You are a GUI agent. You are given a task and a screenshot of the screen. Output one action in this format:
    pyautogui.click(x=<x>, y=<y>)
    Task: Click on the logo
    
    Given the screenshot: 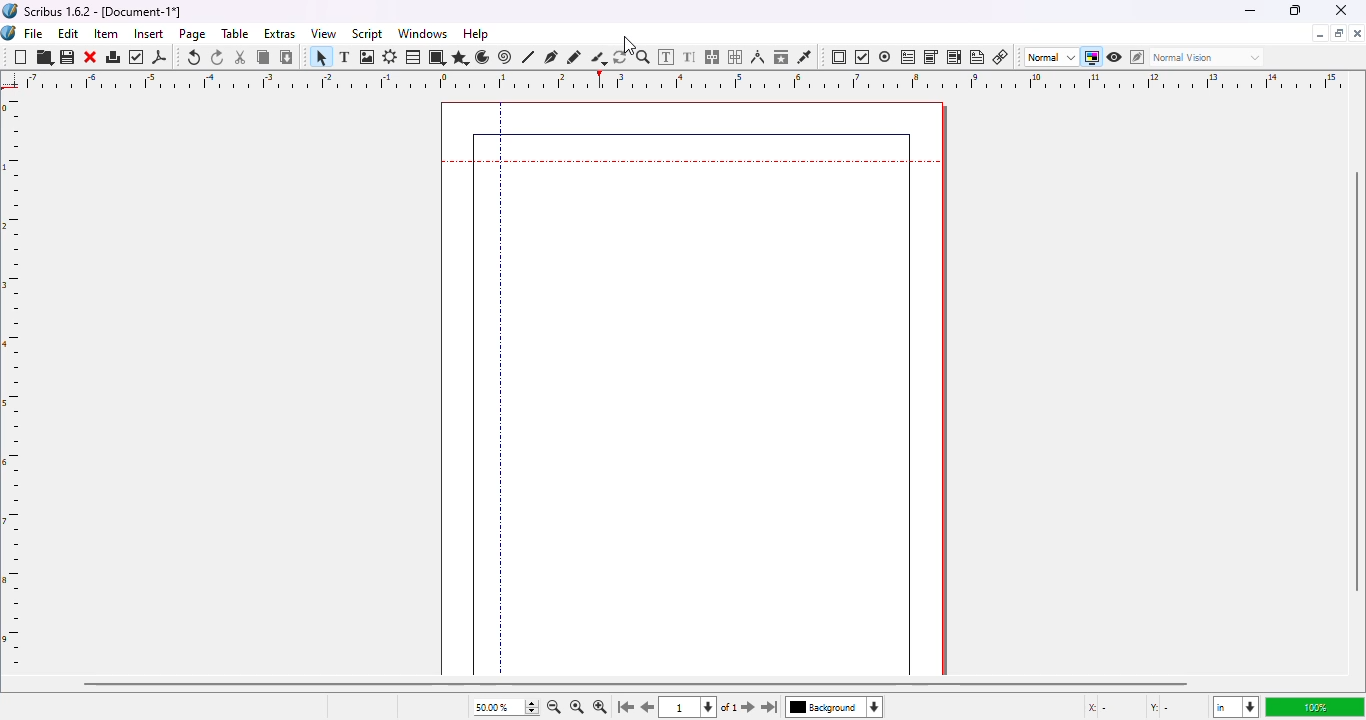 What is the action you would take?
    pyautogui.click(x=9, y=33)
    